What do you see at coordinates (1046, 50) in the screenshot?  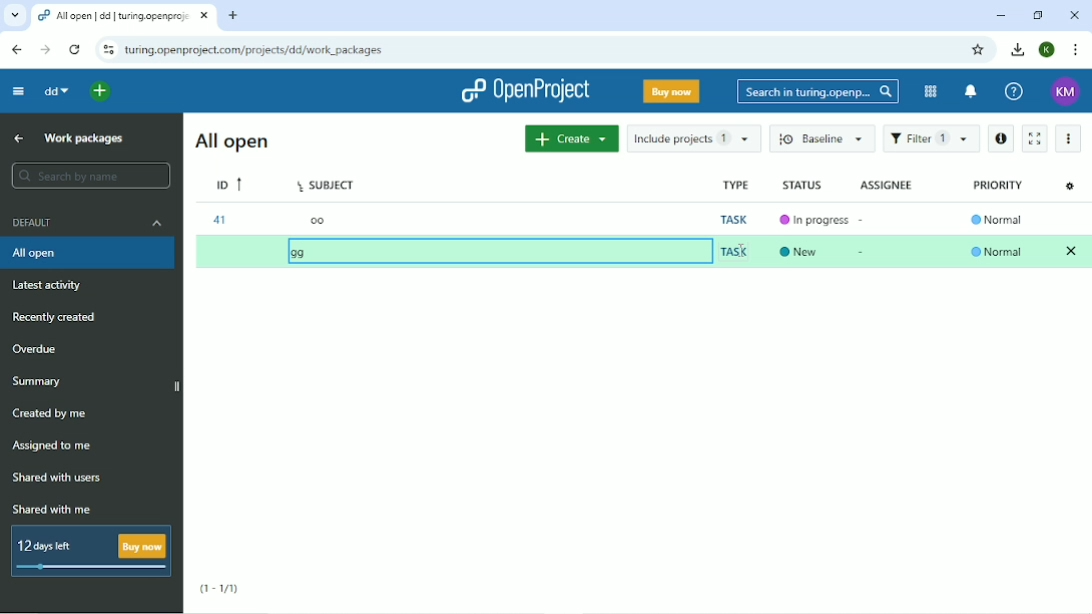 I see `K` at bounding box center [1046, 50].